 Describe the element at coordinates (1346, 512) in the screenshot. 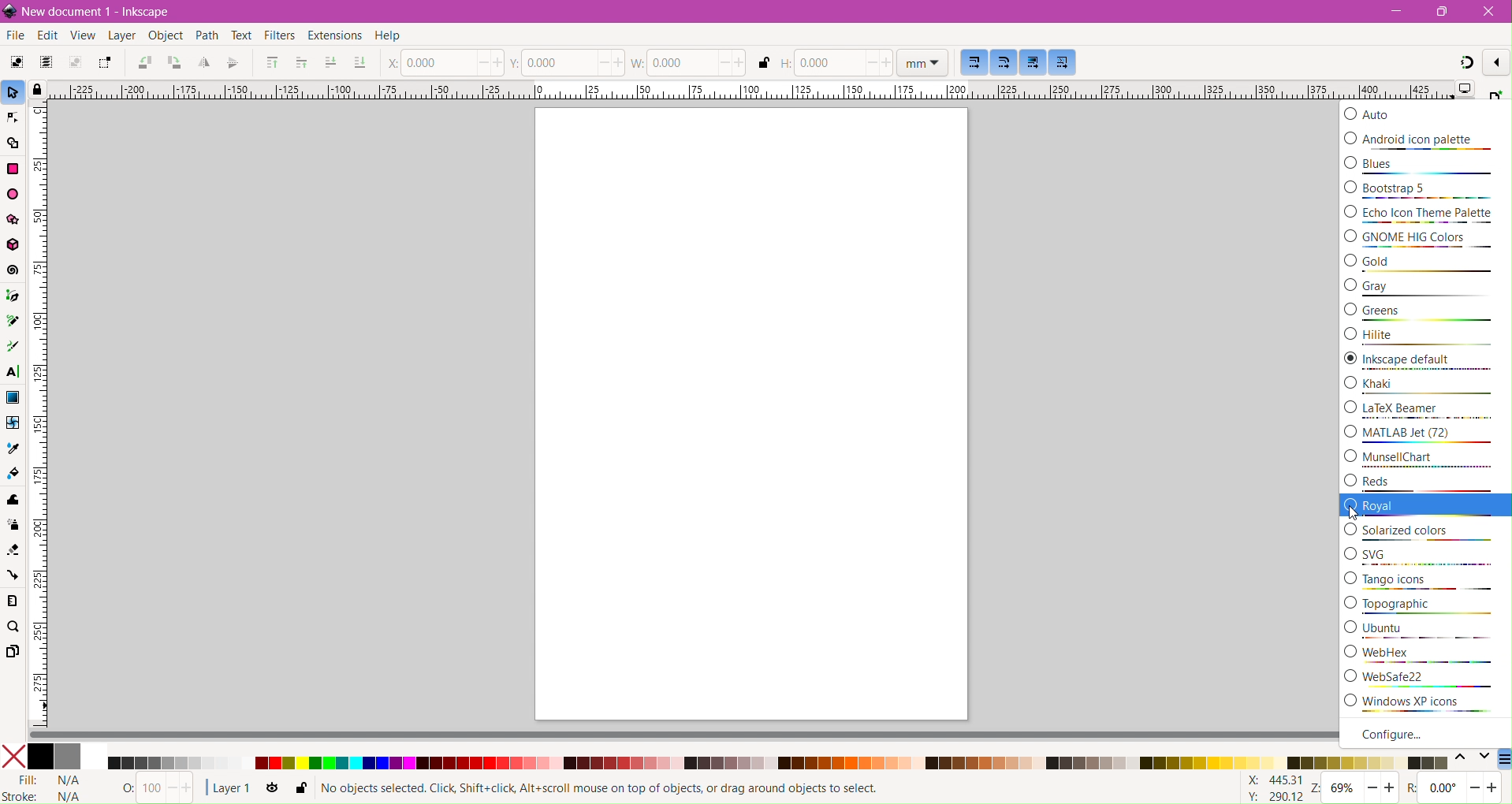

I see `cursor` at that location.